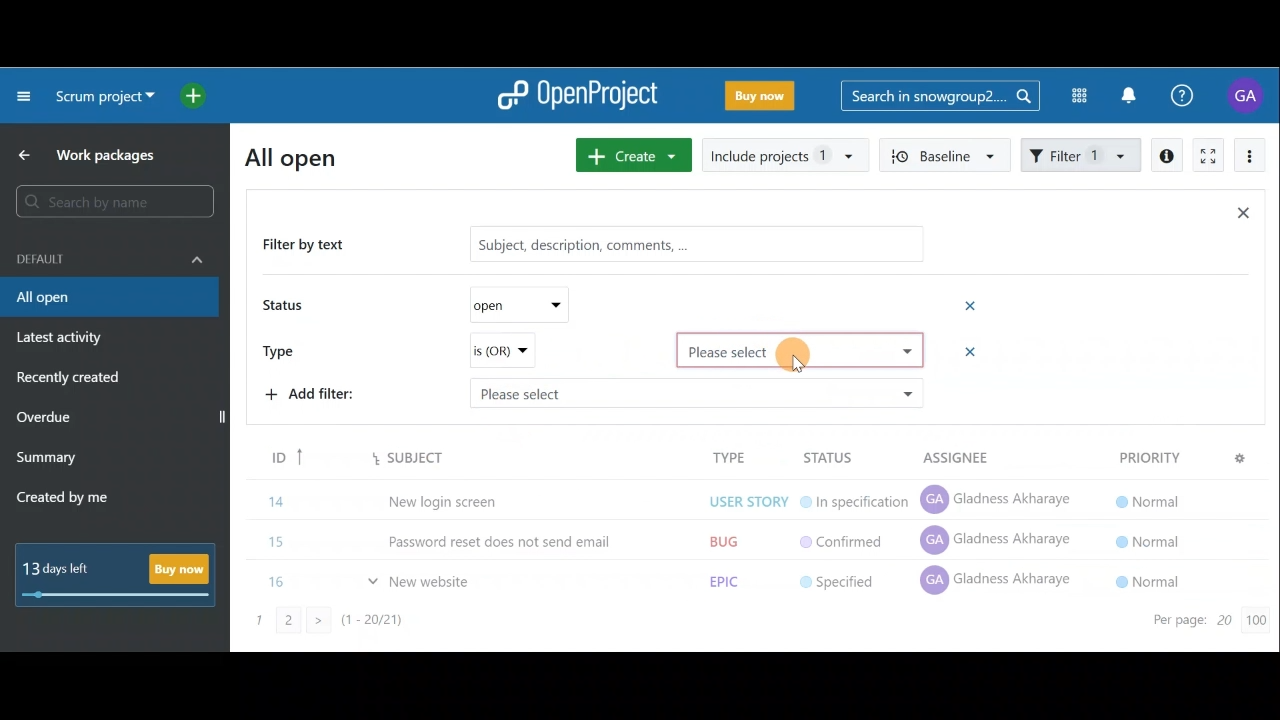  What do you see at coordinates (108, 298) in the screenshot?
I see `All open` at bounding box center [108, 298].